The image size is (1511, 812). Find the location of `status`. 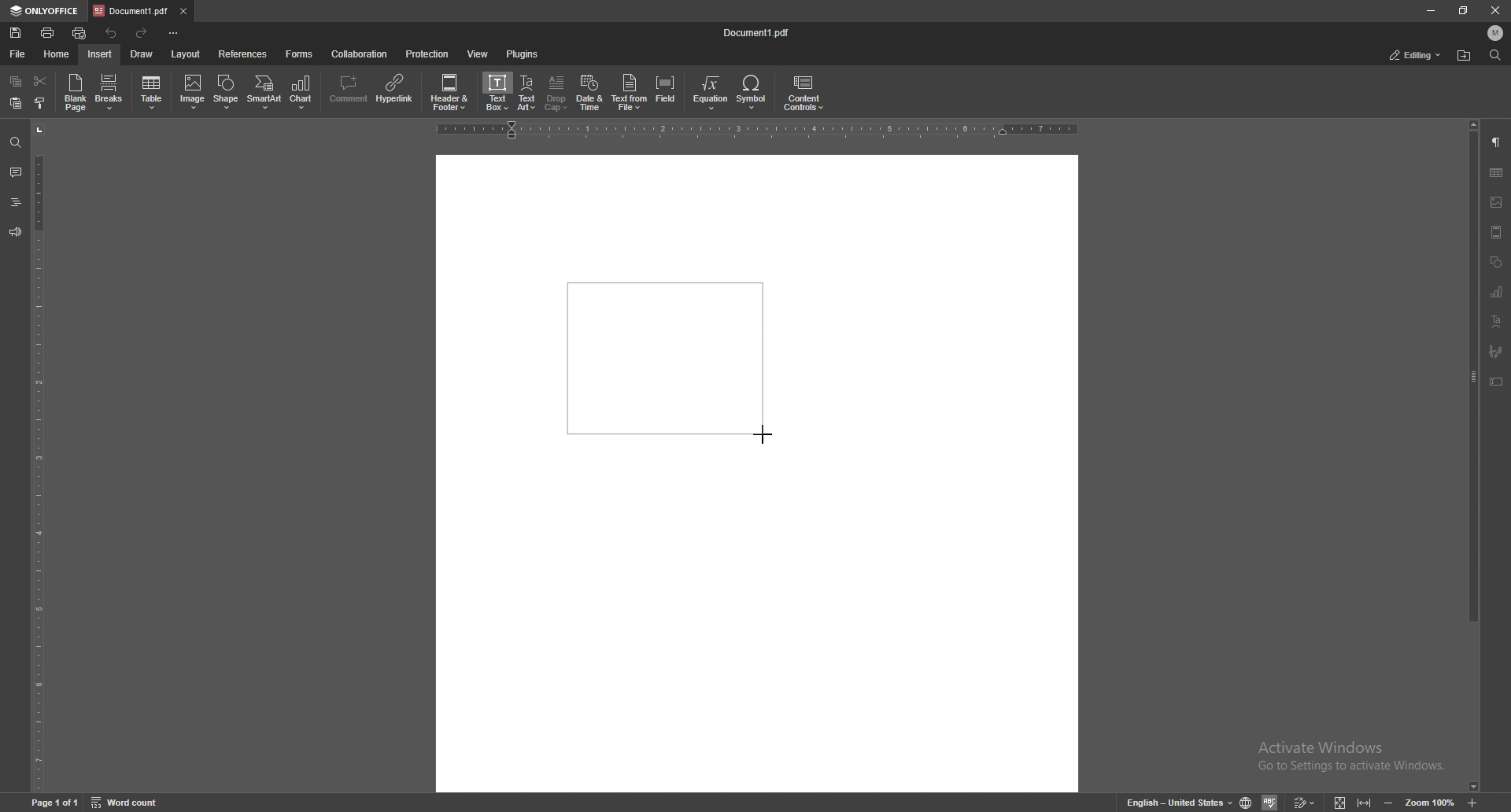

status is located at coordinates (1416, 55).